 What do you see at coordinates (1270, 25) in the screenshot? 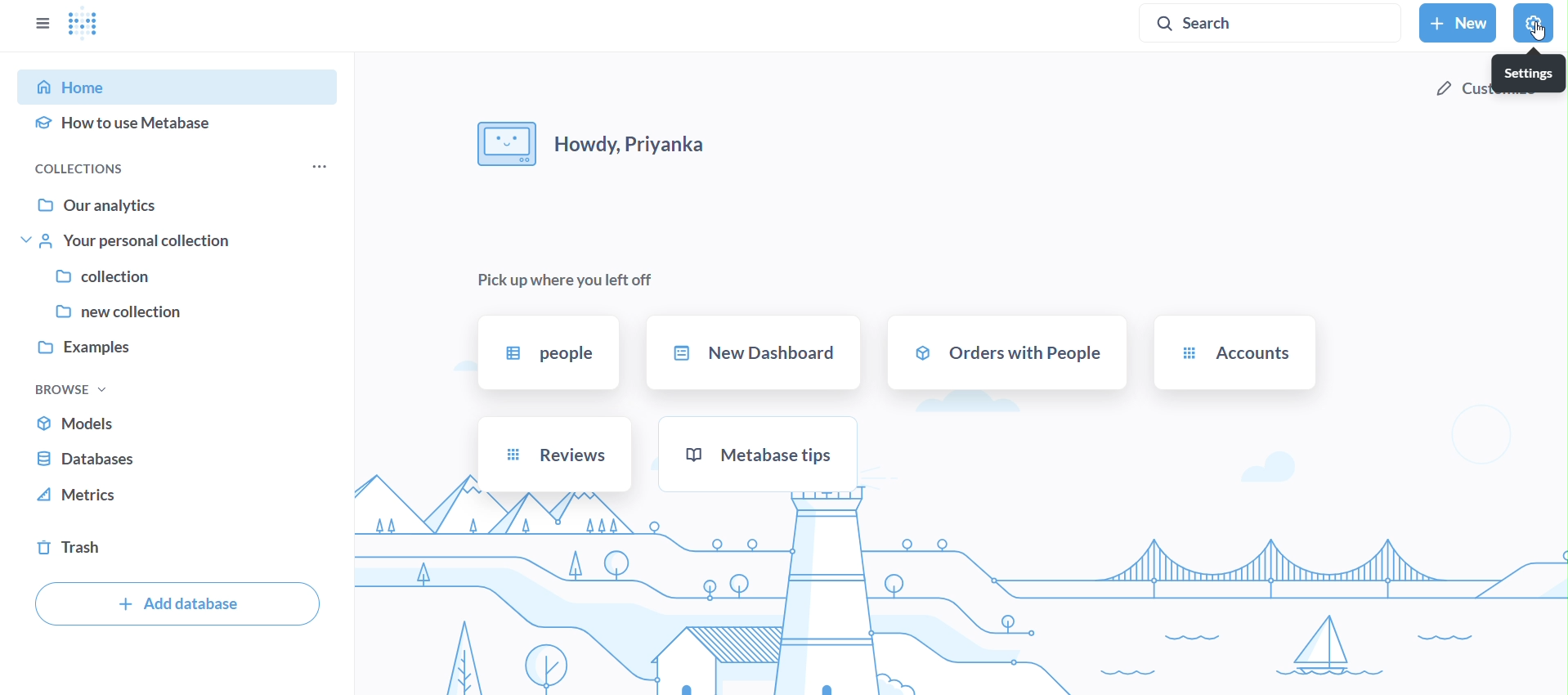
I see `search` at bounding box center [1270, 25].